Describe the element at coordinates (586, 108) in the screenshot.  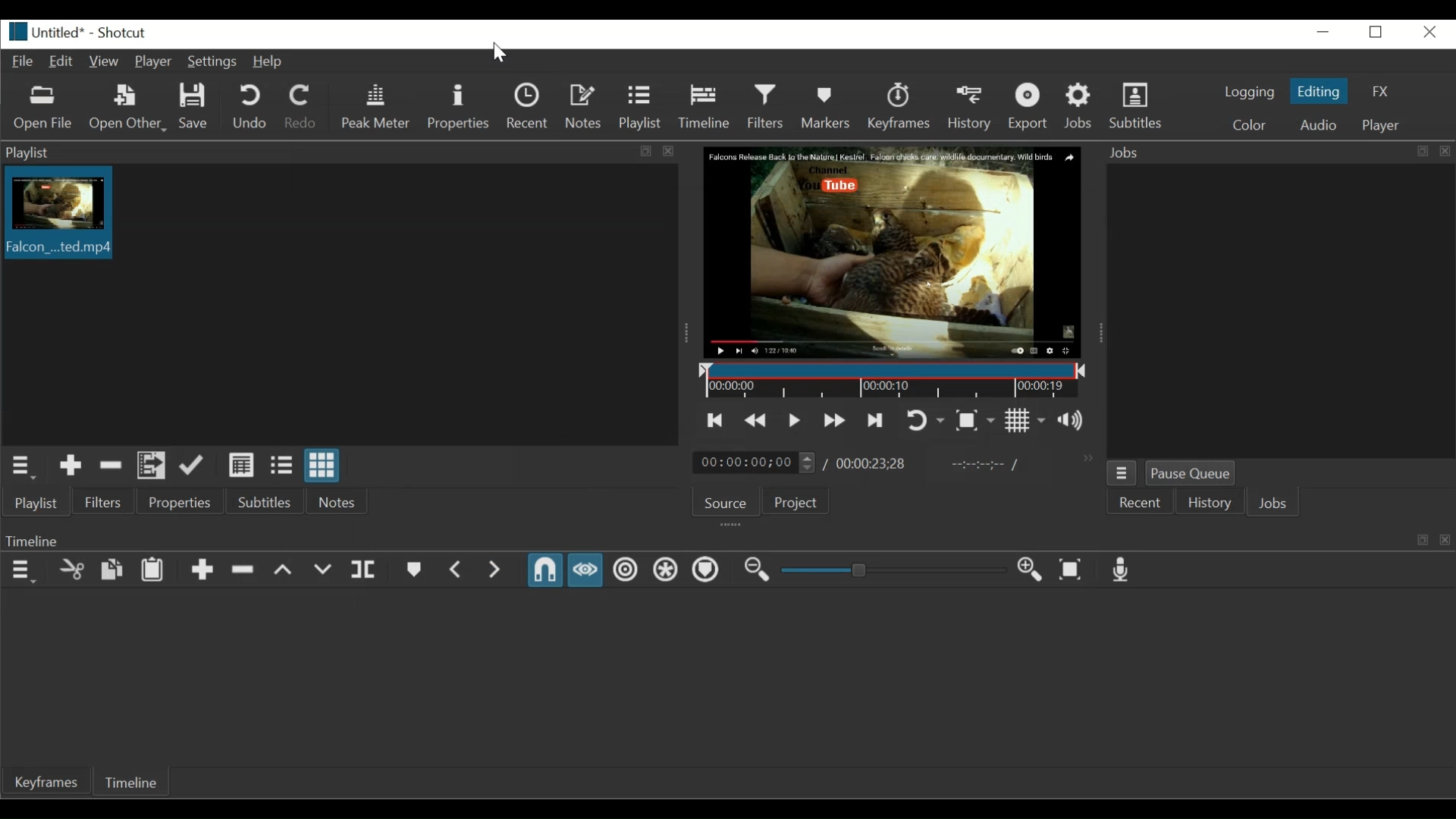
I see `Notes` at that location.